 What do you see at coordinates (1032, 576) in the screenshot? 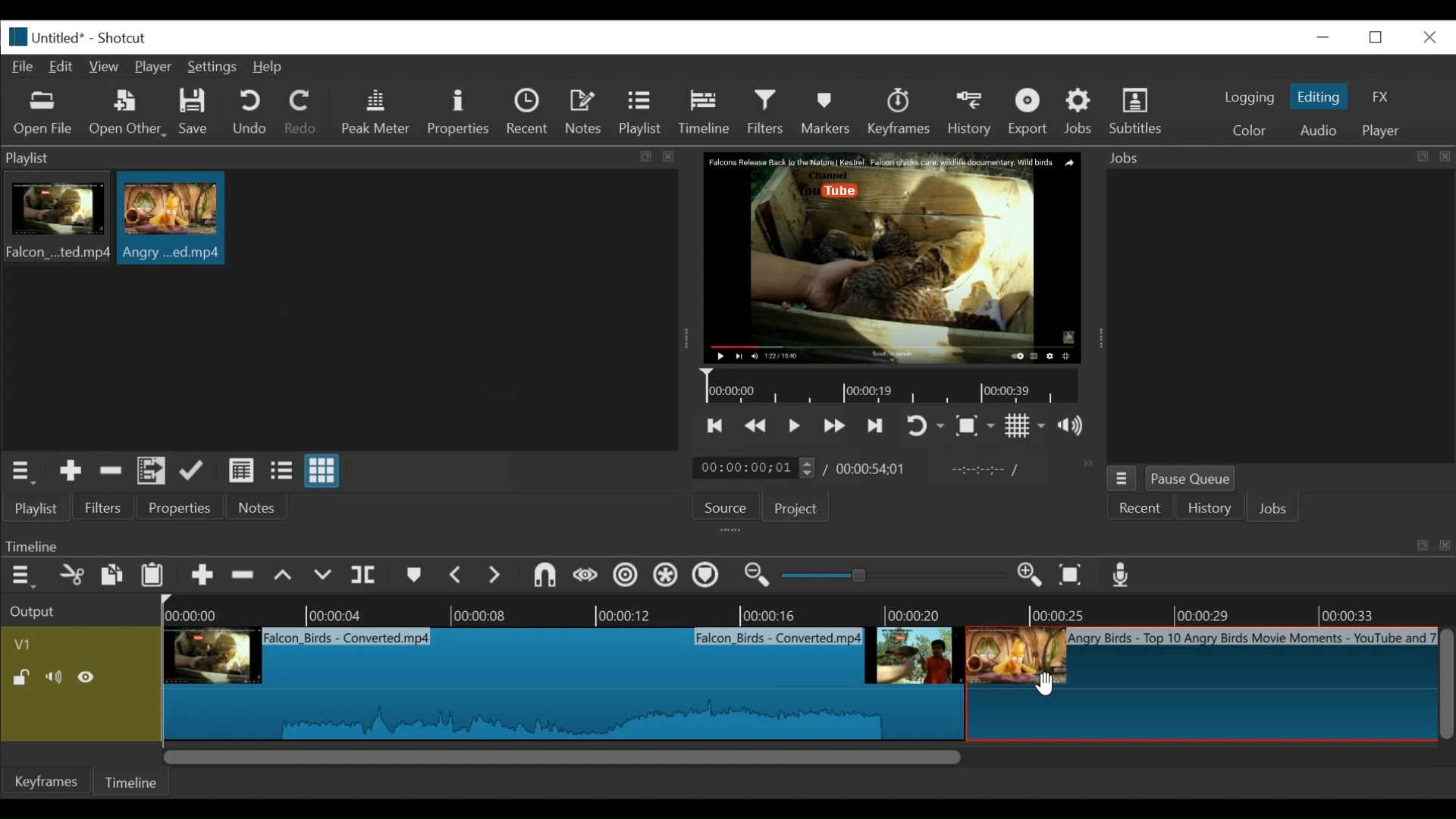
I see `Zoom in` at bounding box center [1032, 576].